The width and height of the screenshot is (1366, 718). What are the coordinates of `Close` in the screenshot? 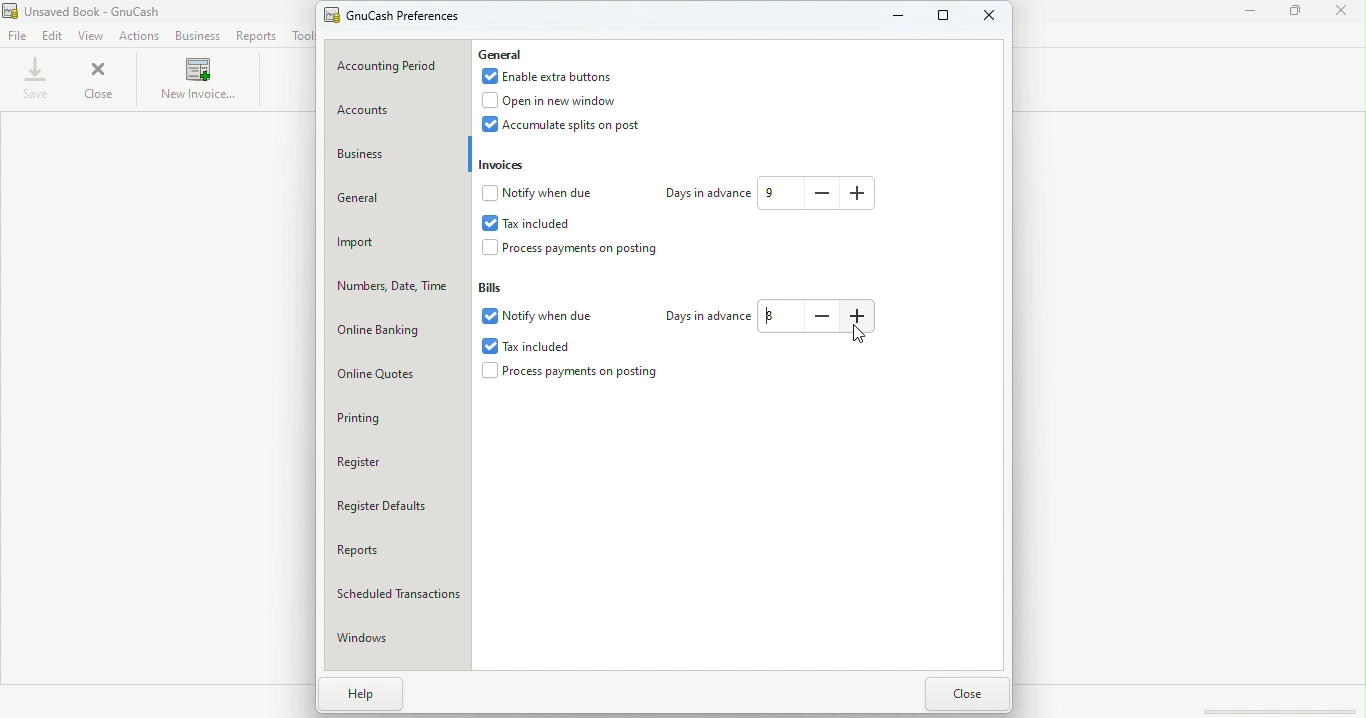 It's located at (1346, 14).